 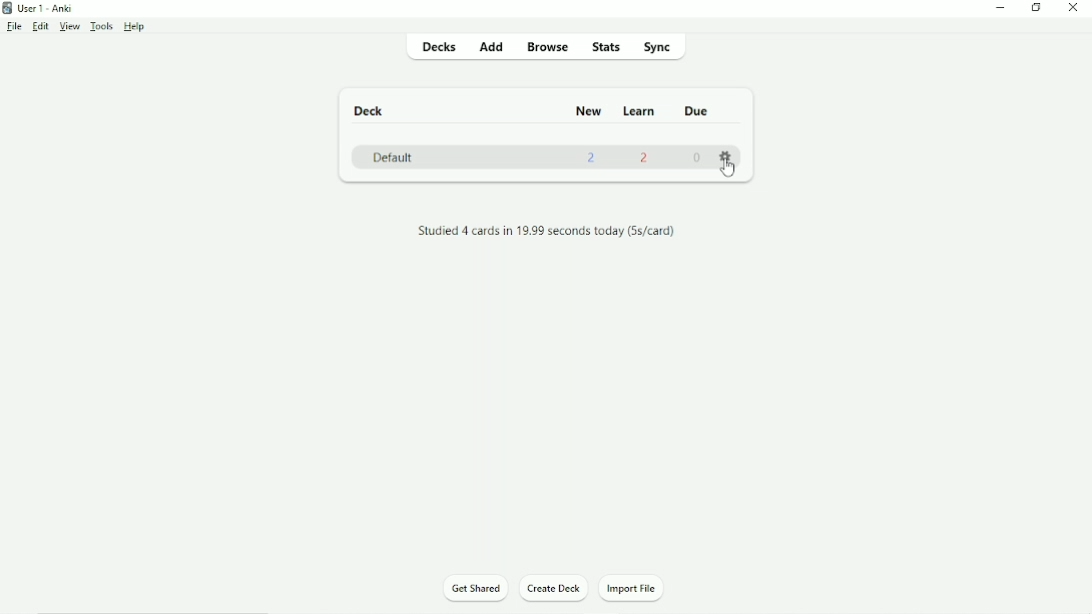 I want to click on Edit, so click(x=41, y=26).